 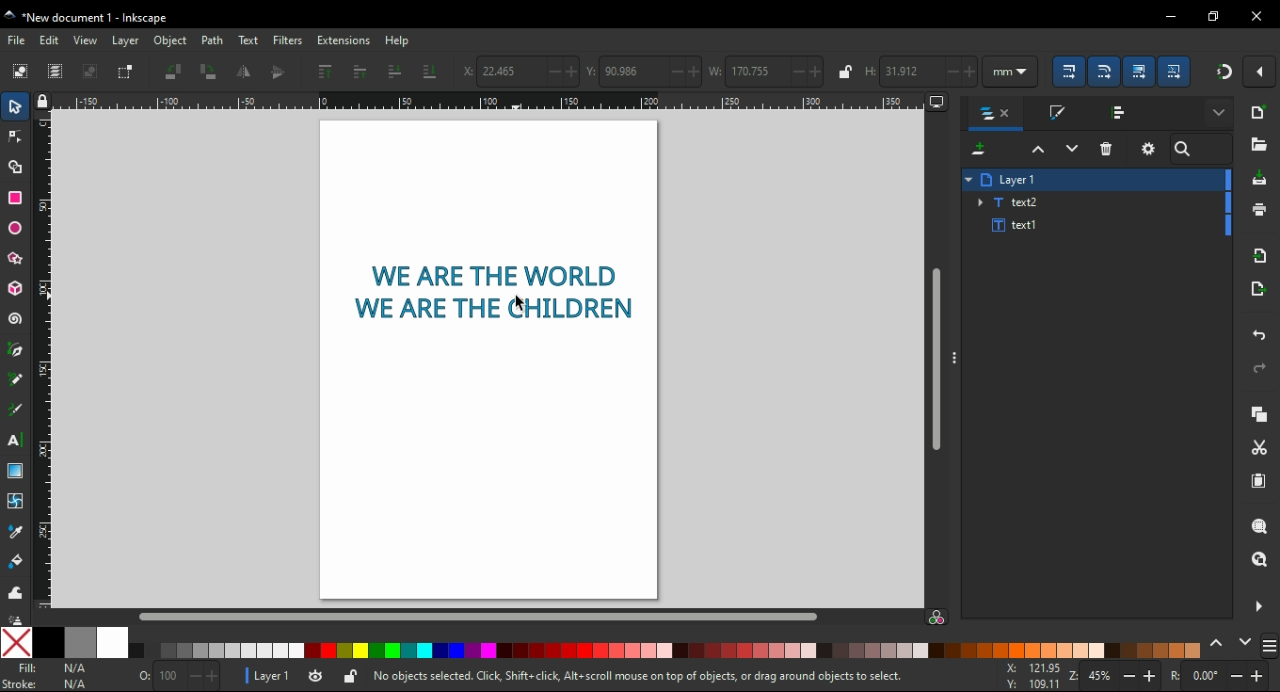 What do you see at coordinates (170, 42) in the screenshot?
I see `object` at bounding box center [170, 42].